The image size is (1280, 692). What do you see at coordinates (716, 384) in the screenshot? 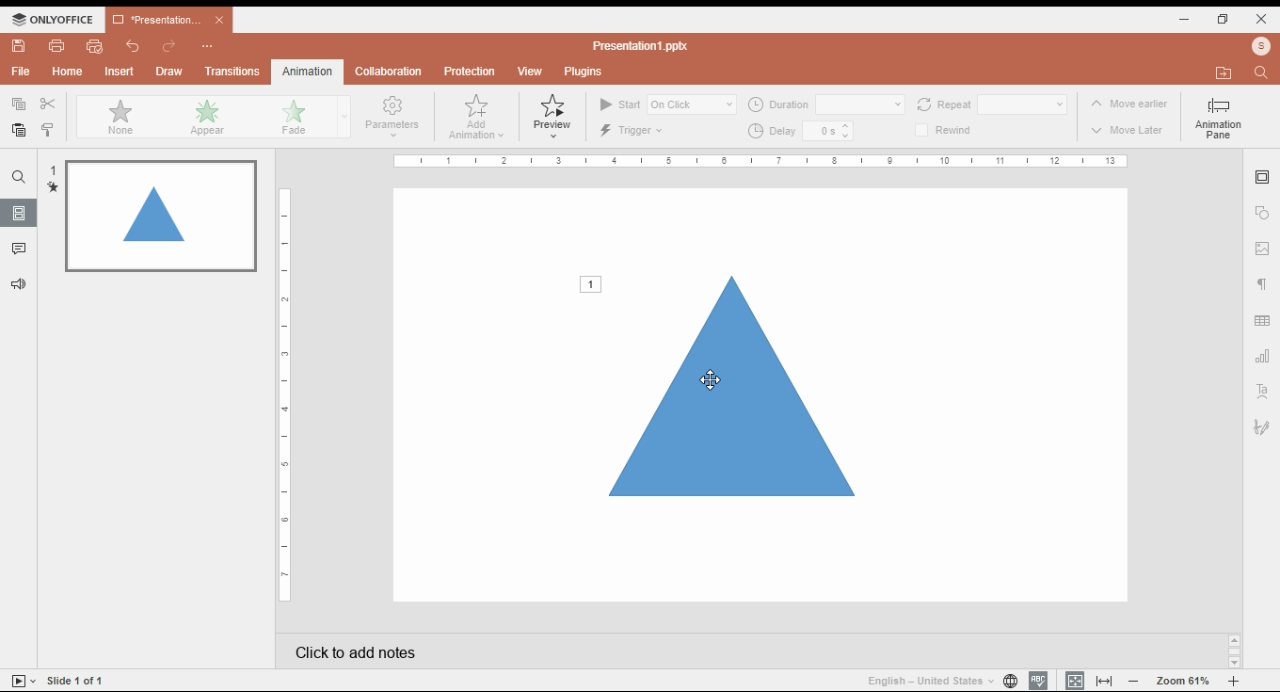
I see `shape (animated)` at bounding box center [716, 384].